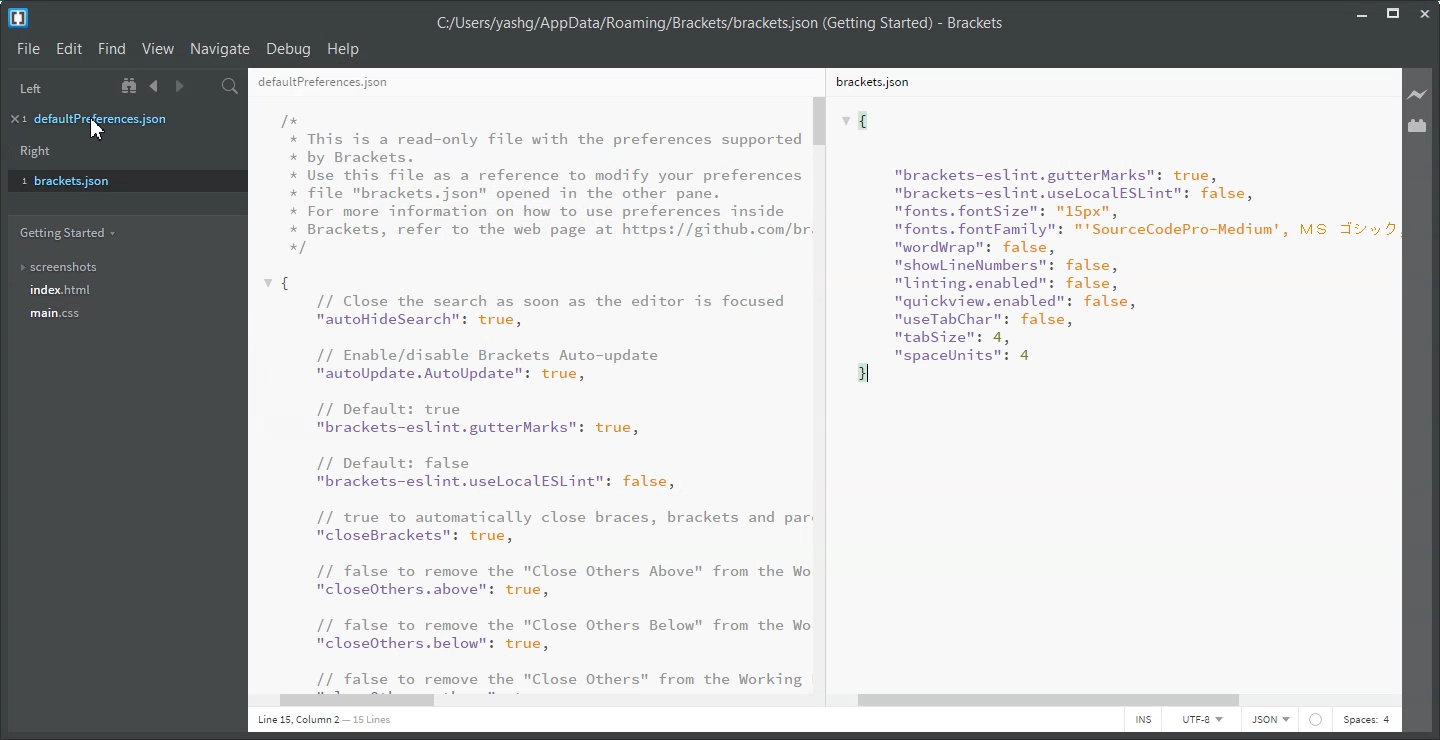  Describe the element at coordinates (1269, 721) in the screenshot. I see `HTML` at that location.